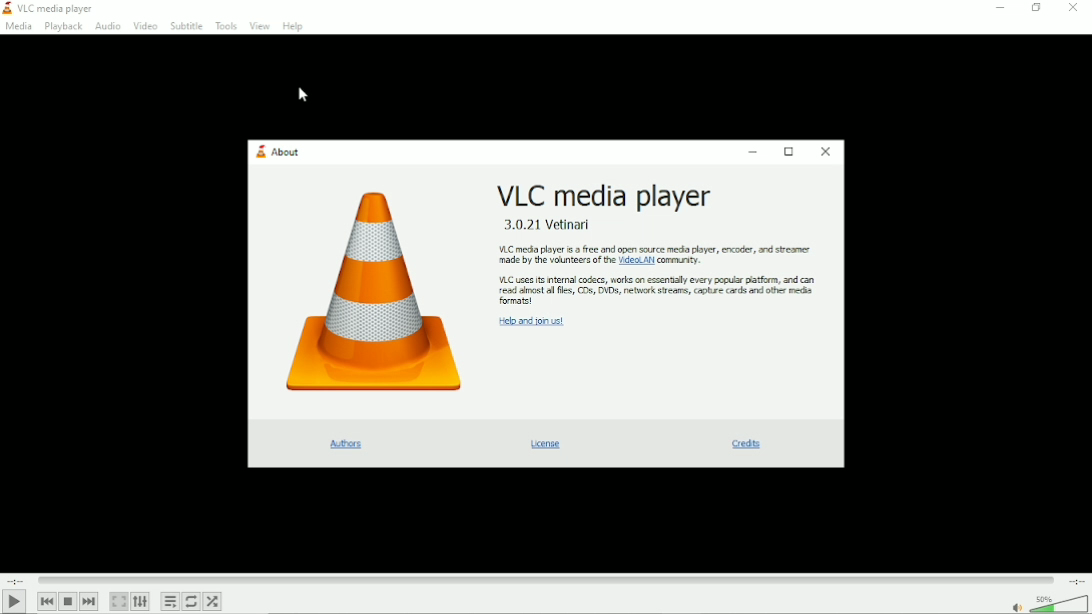 This screenshot has width=1092, height=614. I want to click on Toggle between loop all, loop one and no loop, so click(191, 601).